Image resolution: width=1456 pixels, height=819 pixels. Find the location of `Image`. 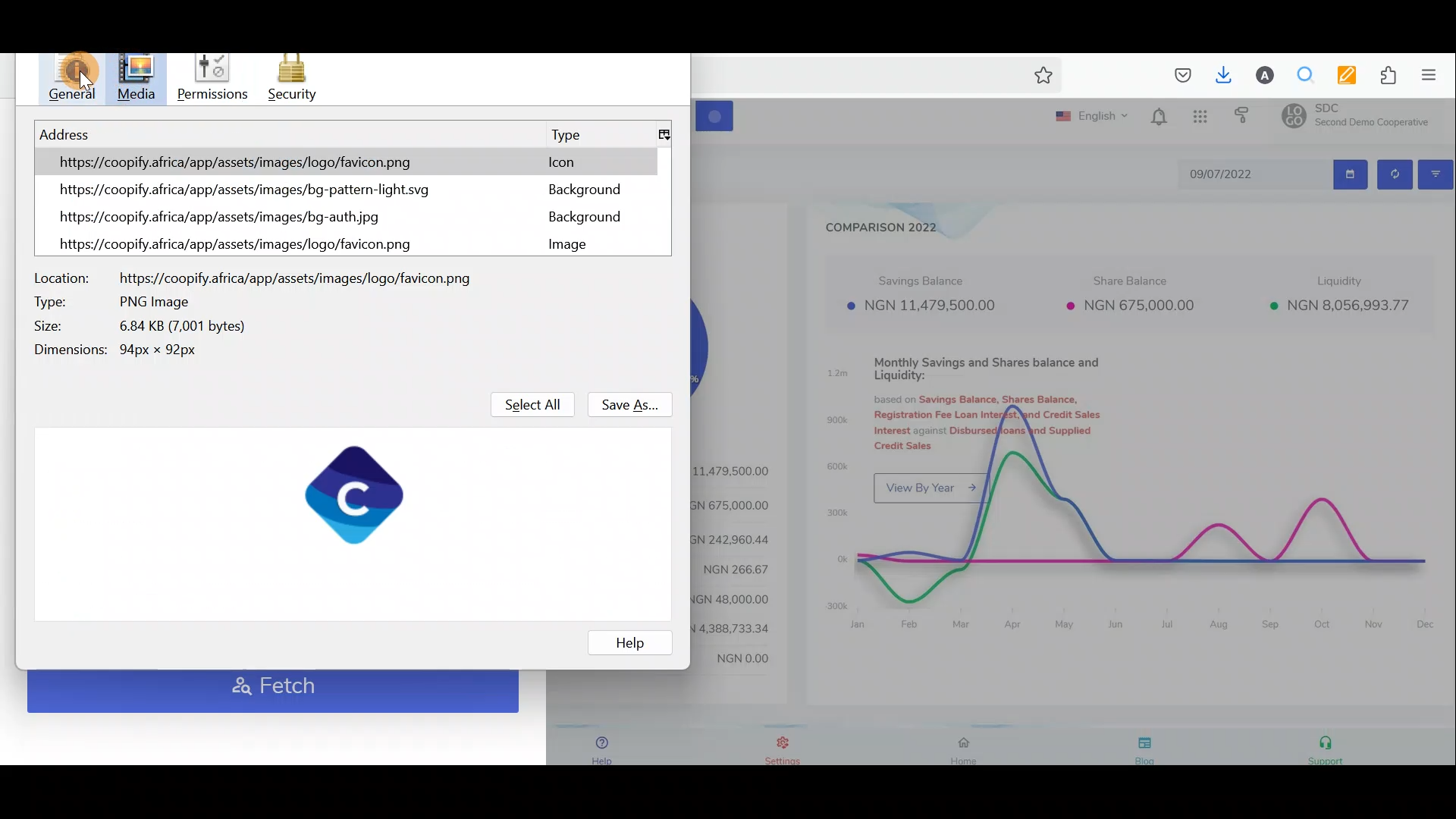

Image is located at coordinates (576, 245).